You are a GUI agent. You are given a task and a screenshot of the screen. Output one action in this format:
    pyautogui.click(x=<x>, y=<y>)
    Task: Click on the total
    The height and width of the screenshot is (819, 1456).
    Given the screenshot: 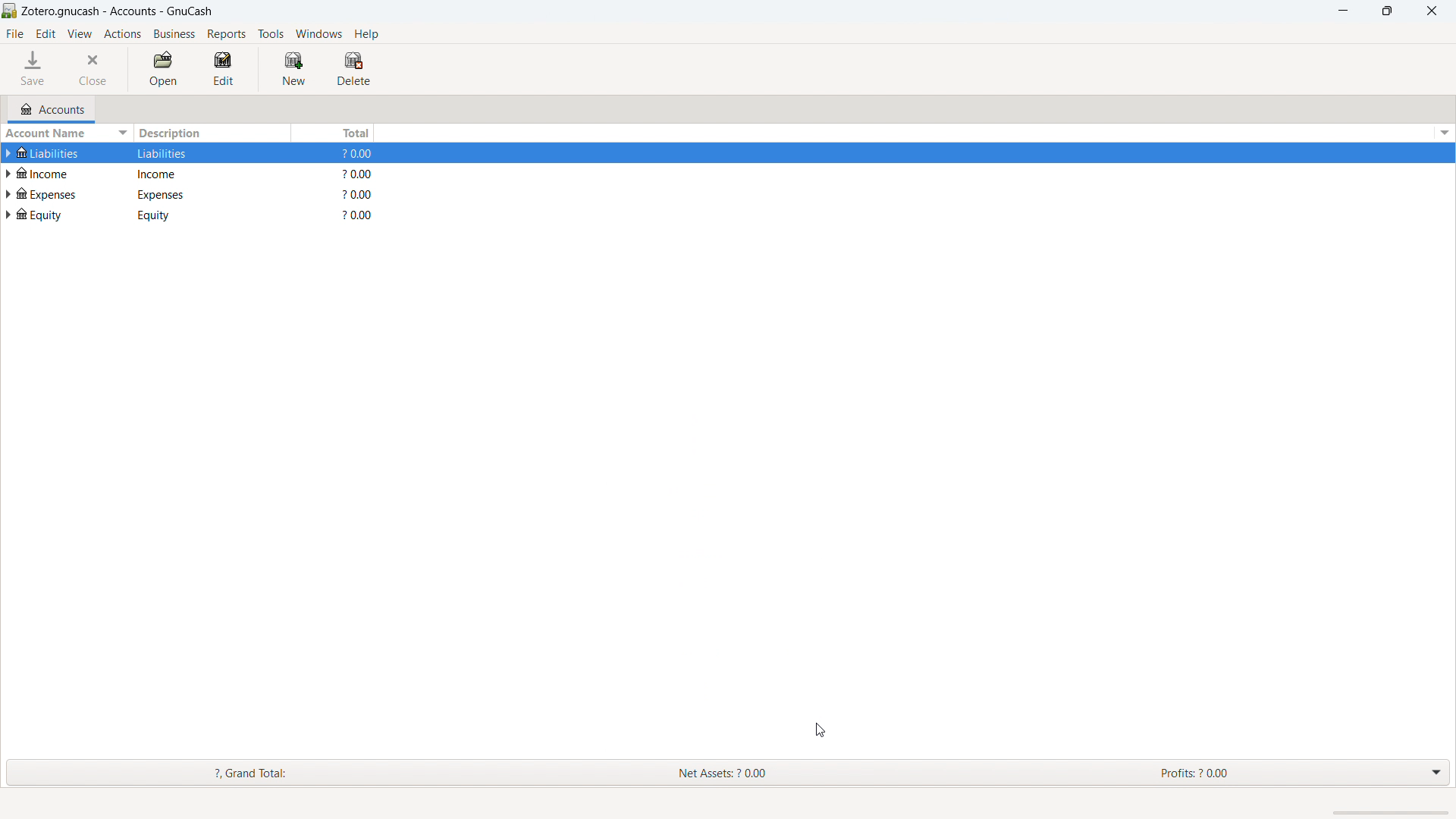 What is the action you would take?
    pyautogui.click(x=335, y=132)
    